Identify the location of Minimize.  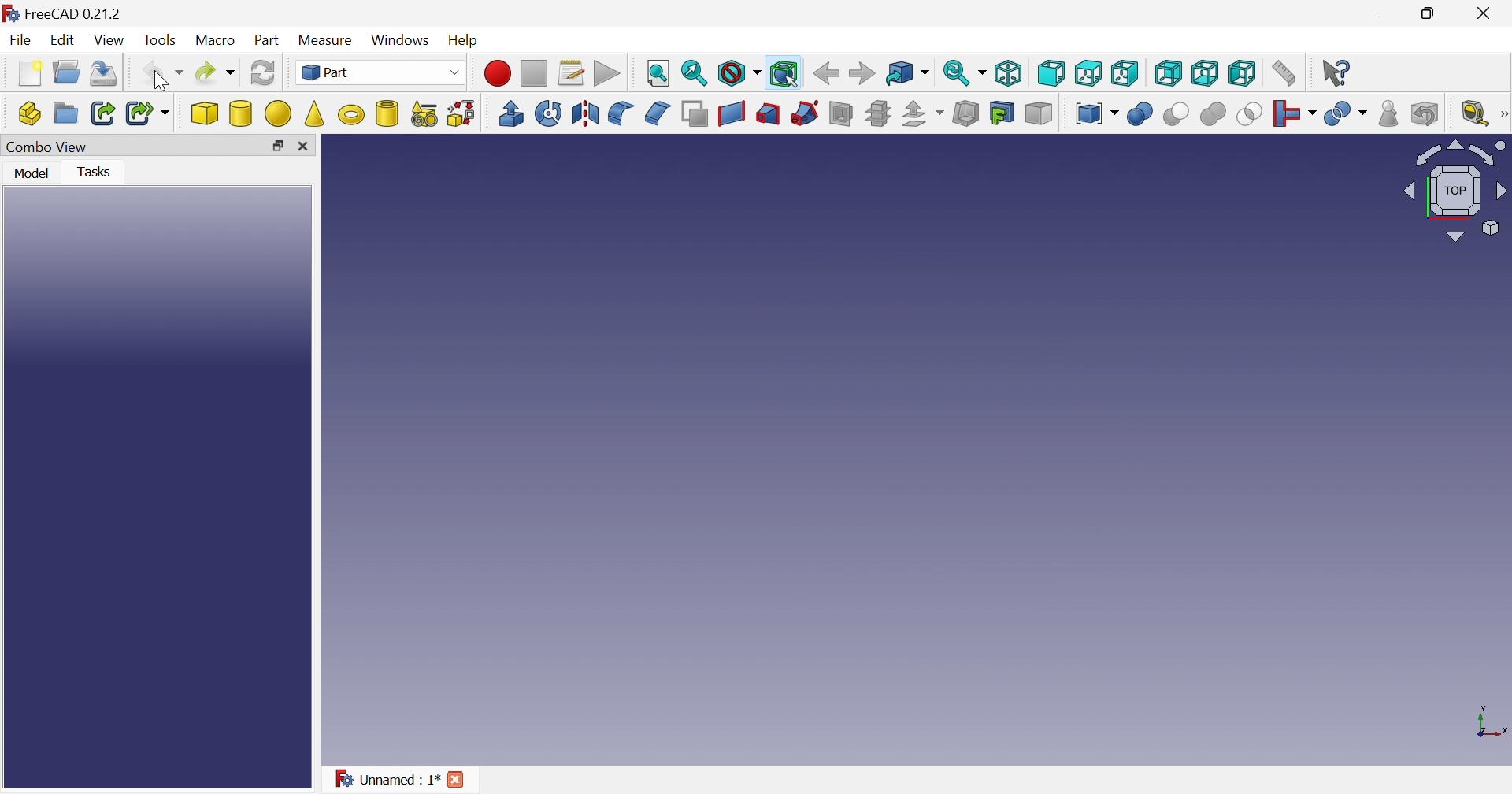
(1377, 11).